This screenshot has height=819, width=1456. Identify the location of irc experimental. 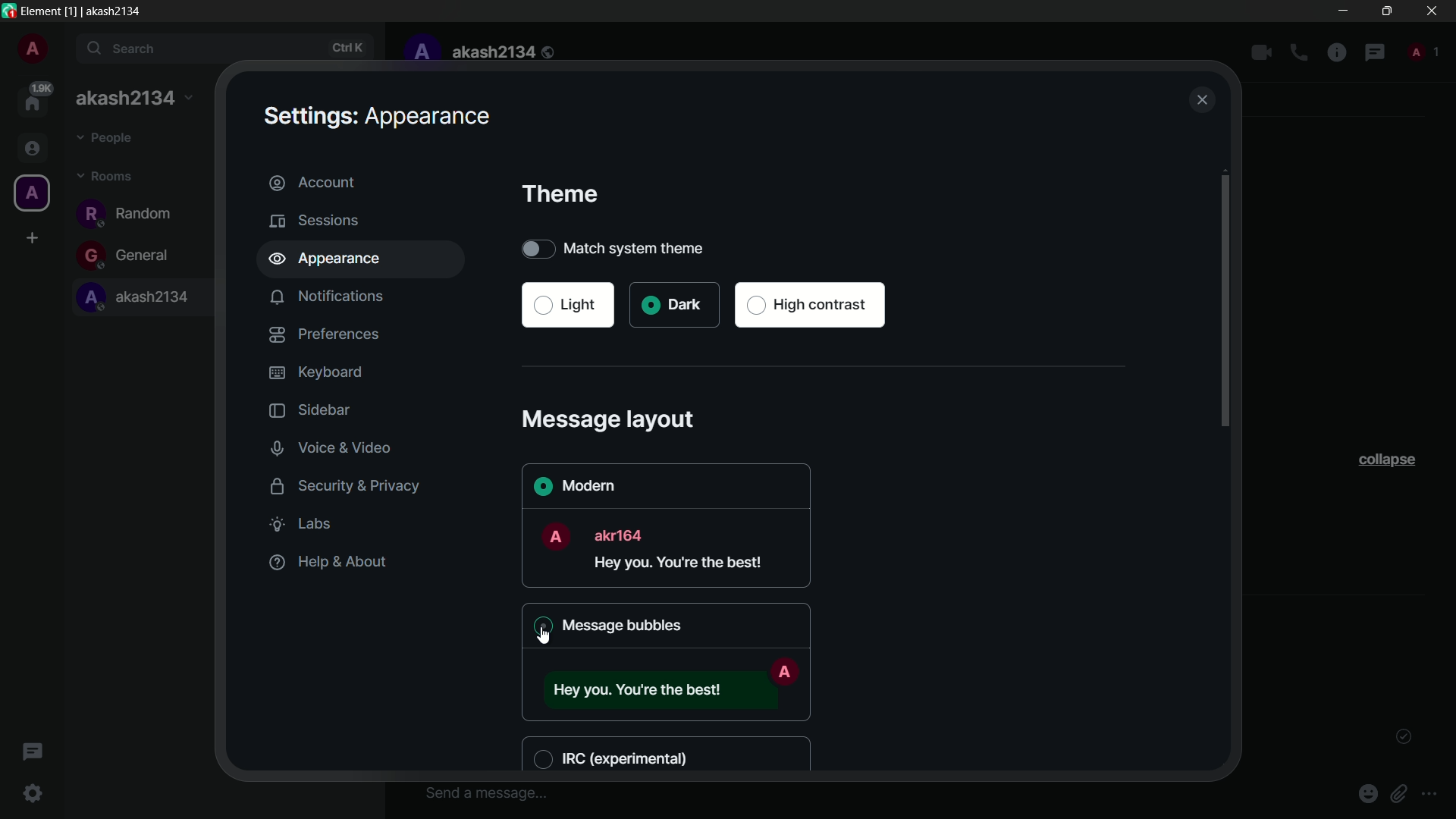
(617, 757).